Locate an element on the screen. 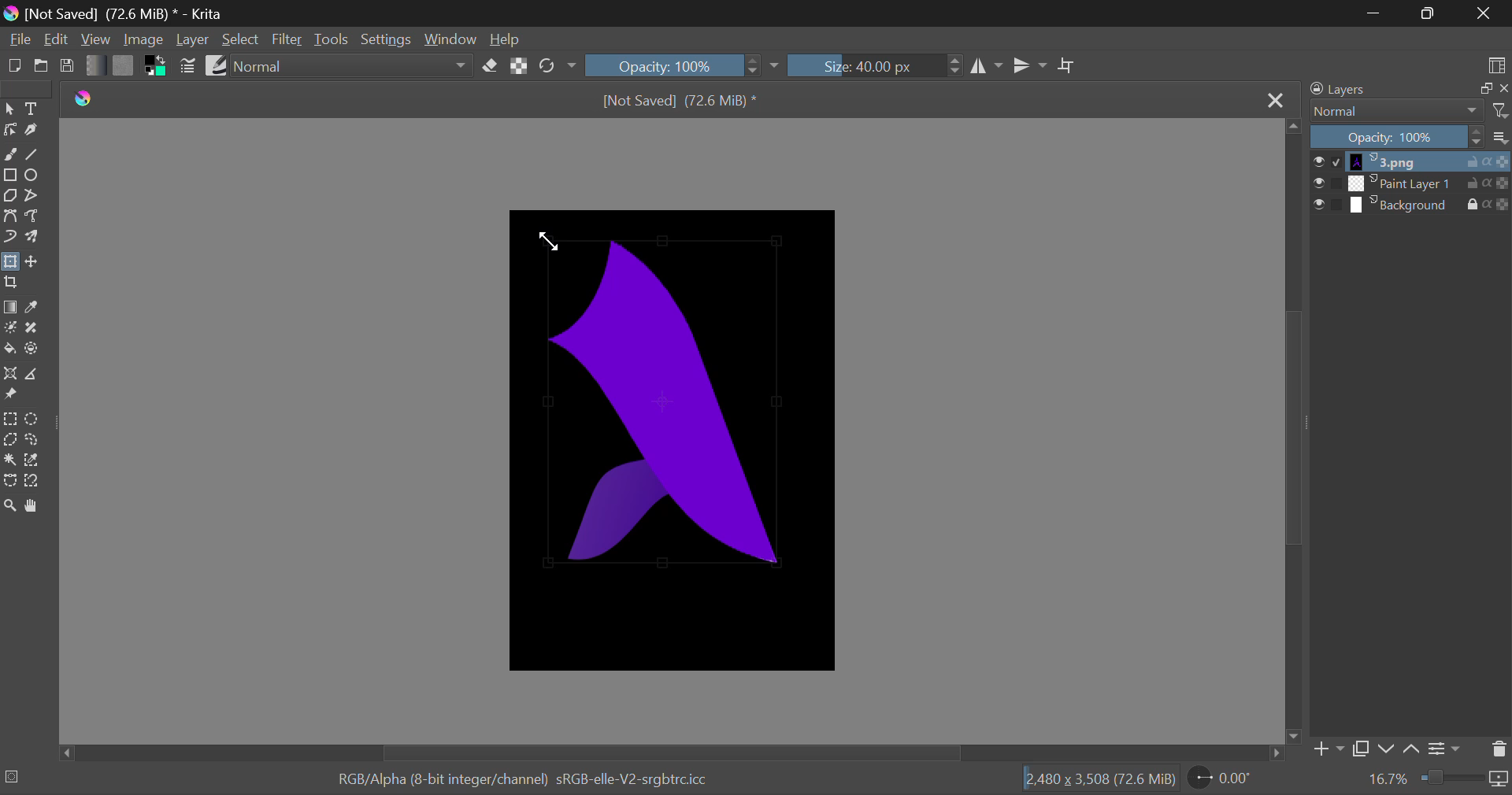 Image resolution: width=1512 pixels, height=795 pixels. Gradient is located at coordinates (94, 66).